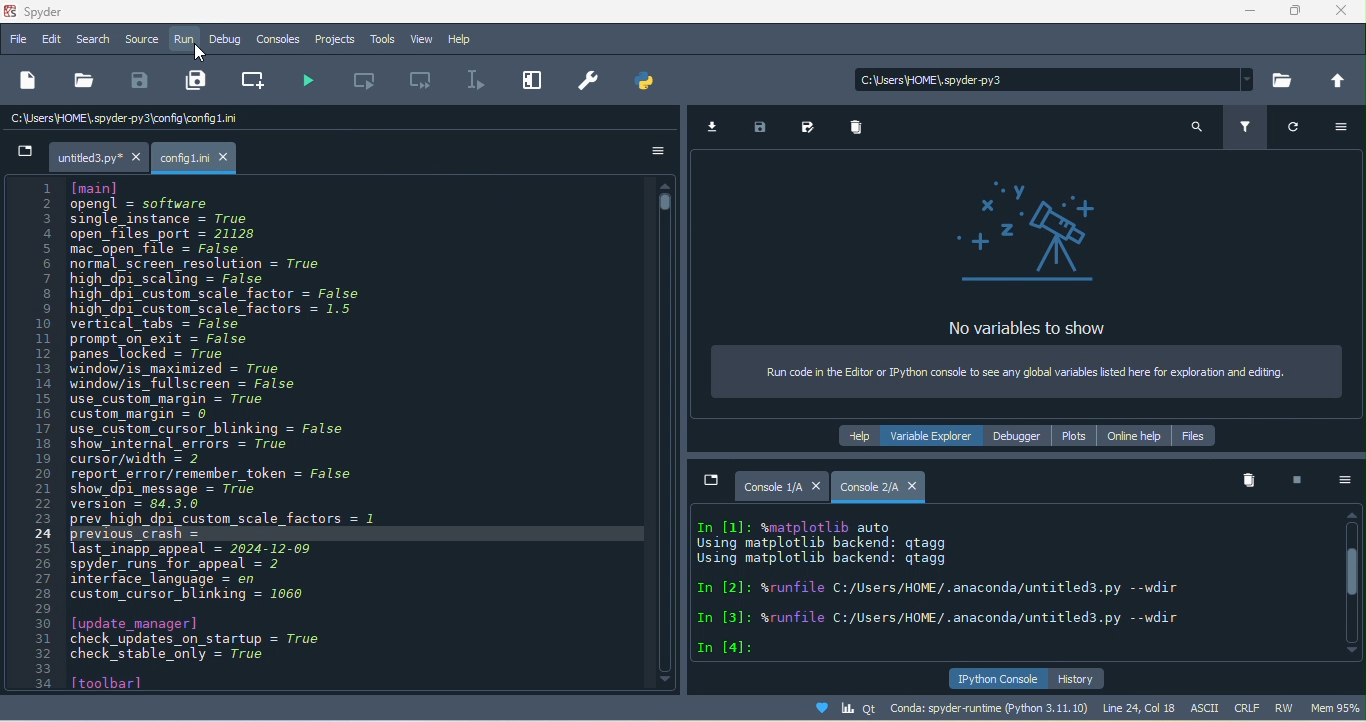  I want to click on debug selection, so click(474, 81).